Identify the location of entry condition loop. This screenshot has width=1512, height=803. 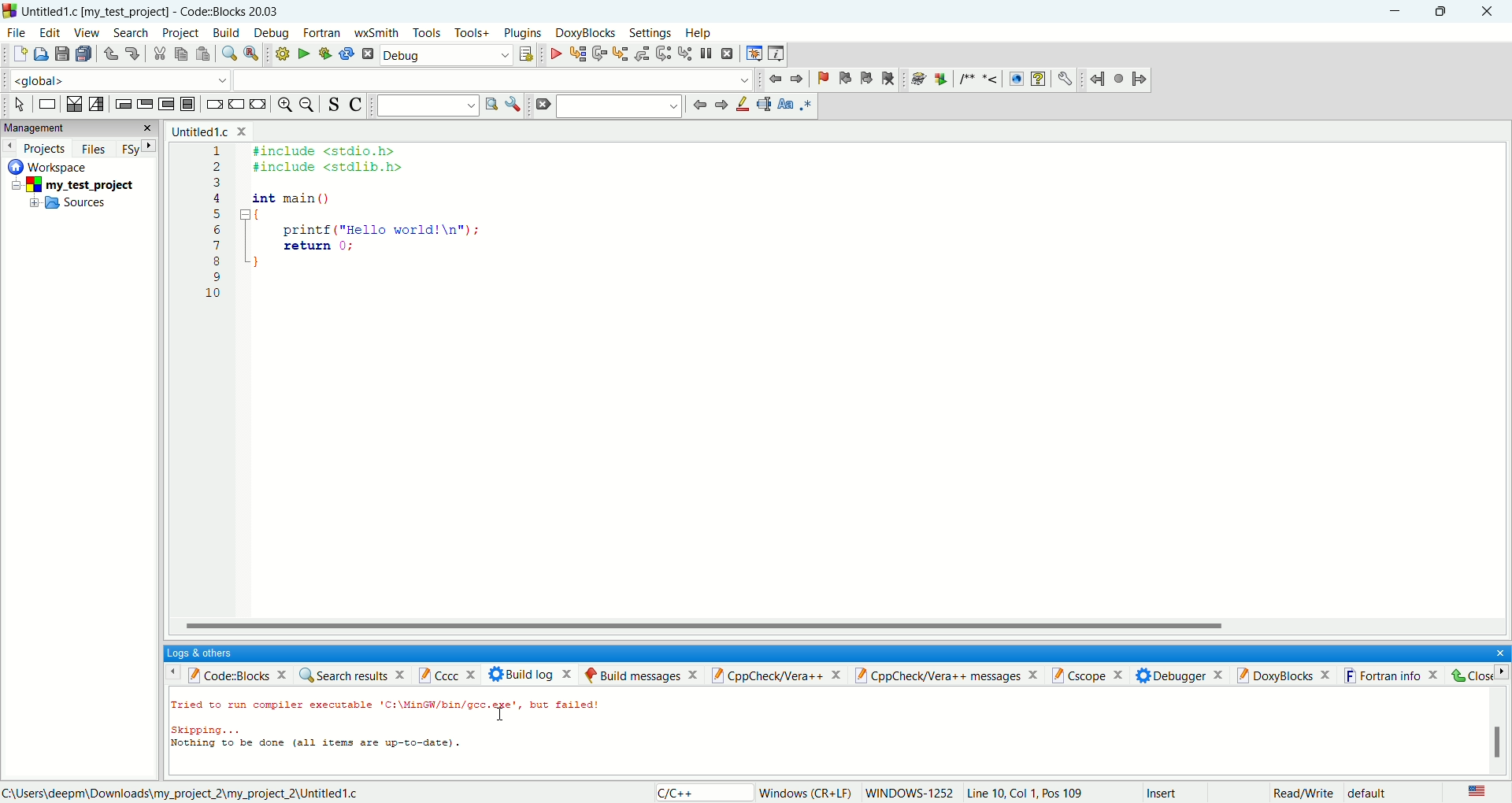
(121, 103).